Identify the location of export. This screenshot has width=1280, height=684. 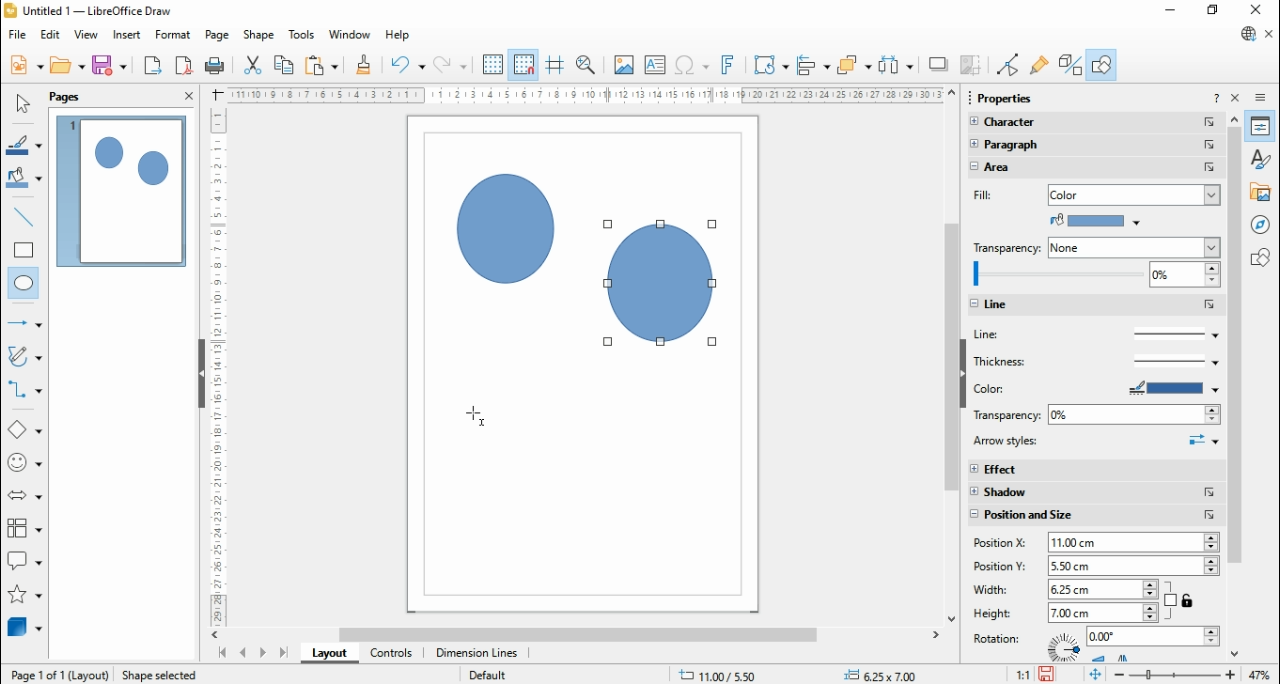
(152, 65).